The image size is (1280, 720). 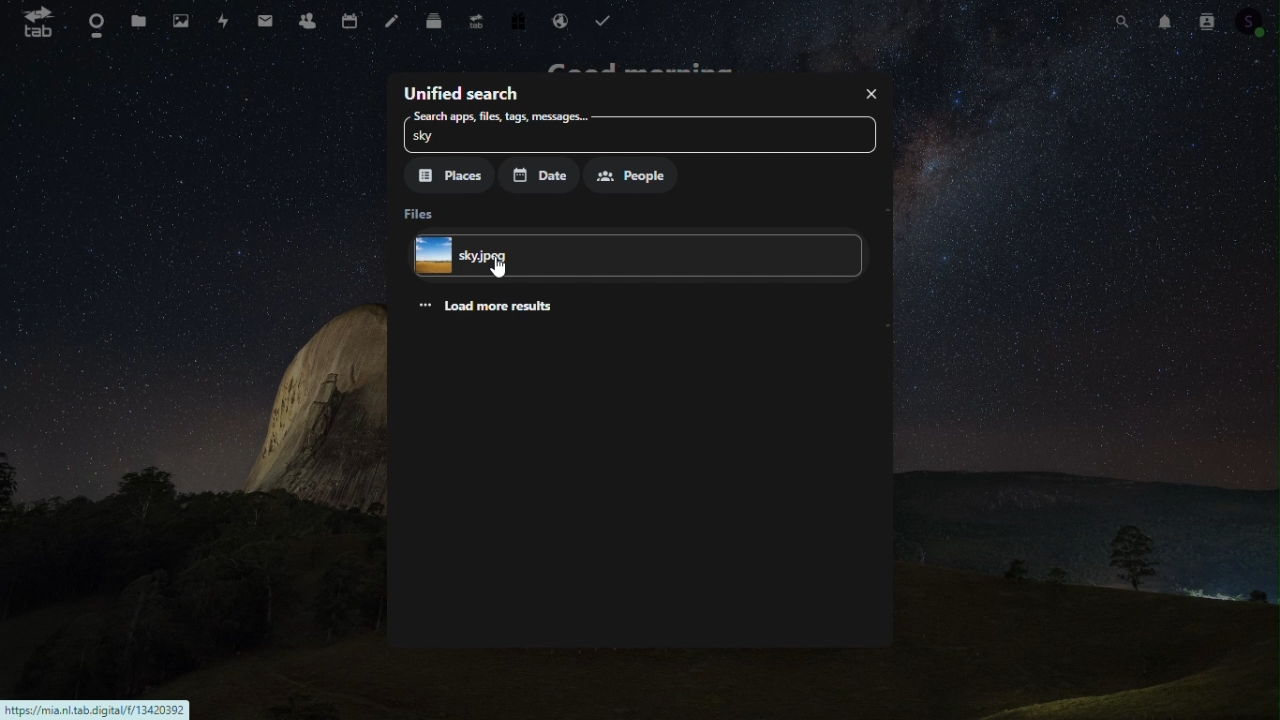 What do you see at coordinates (1204, 20) in the screenshot?
I see `Contacts` at bounding box center [1204, 20].